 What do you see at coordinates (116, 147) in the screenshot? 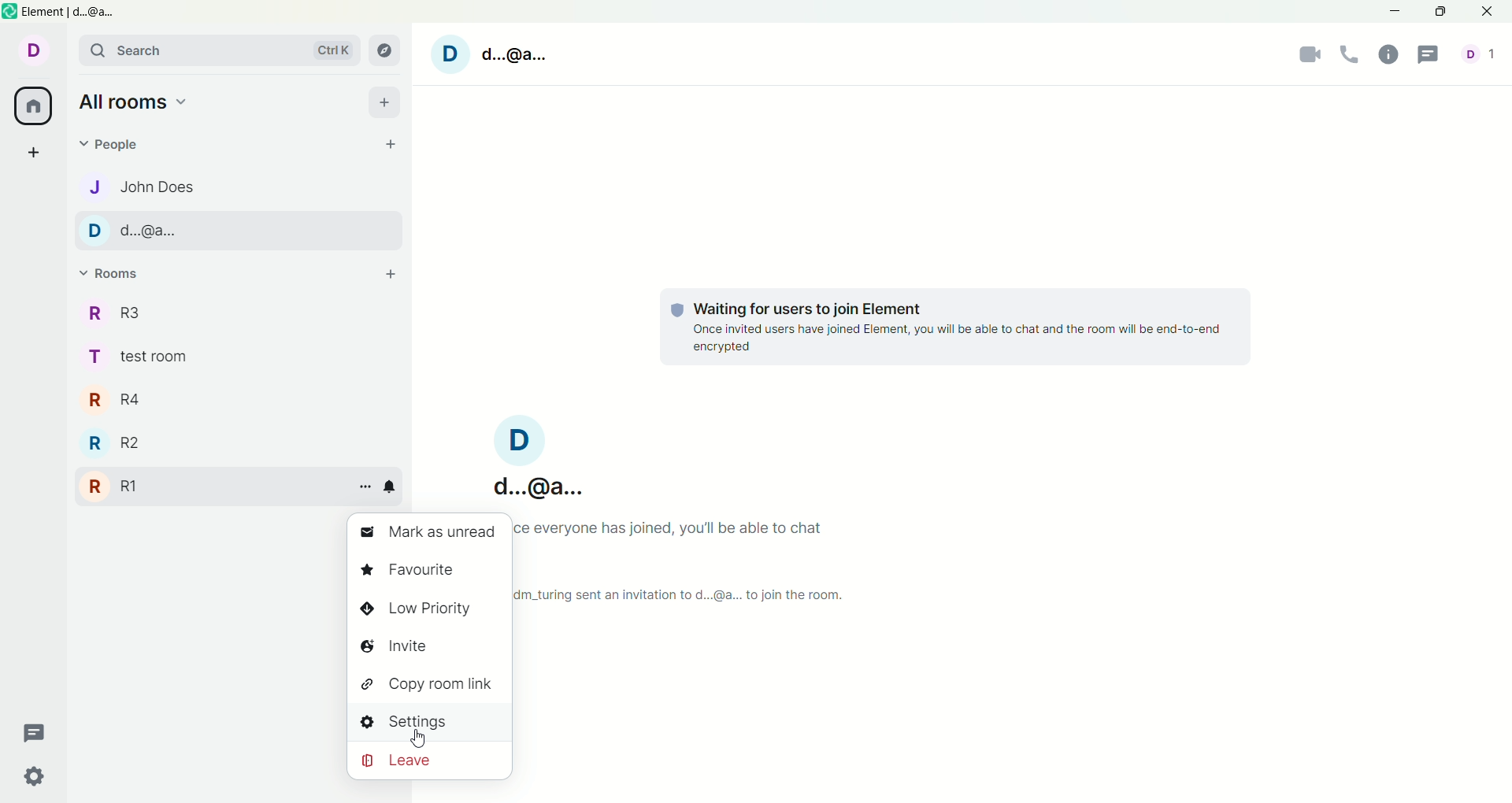
I see `people` at bounding box center [116, 147].